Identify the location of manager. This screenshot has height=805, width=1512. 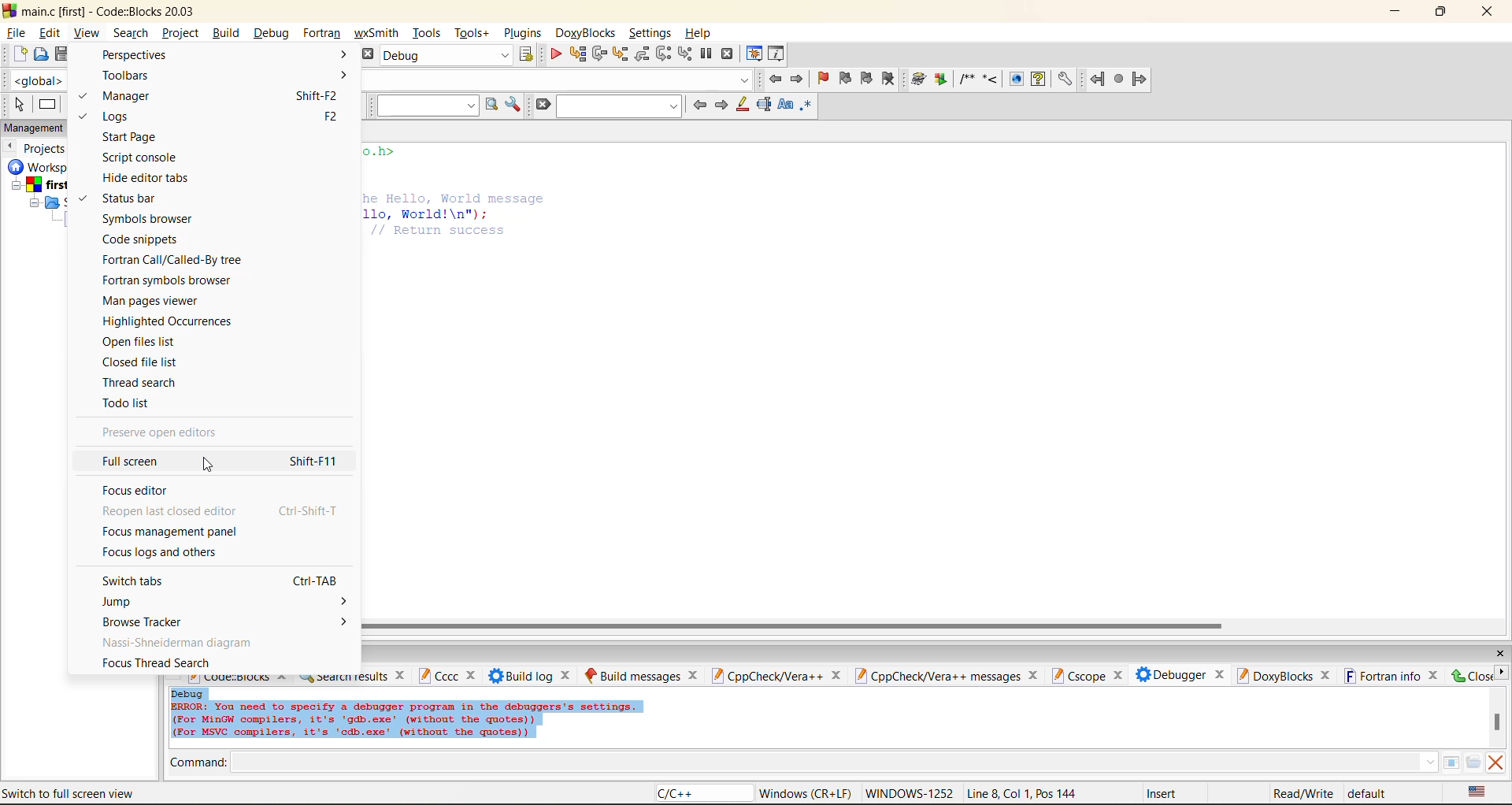
(220, 96).